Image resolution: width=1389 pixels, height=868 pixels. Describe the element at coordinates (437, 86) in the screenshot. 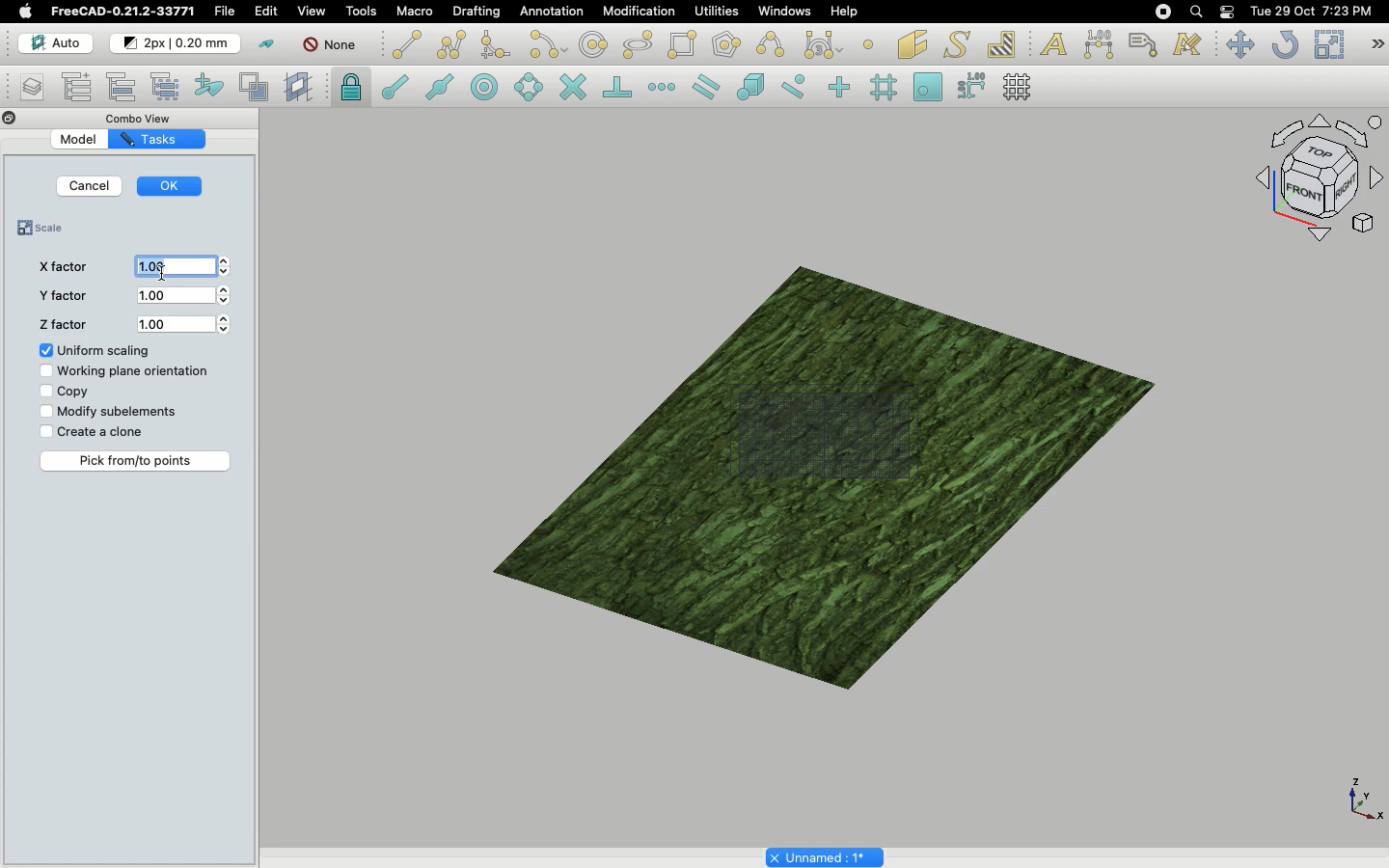

I see `Snap midpoint` at that location.